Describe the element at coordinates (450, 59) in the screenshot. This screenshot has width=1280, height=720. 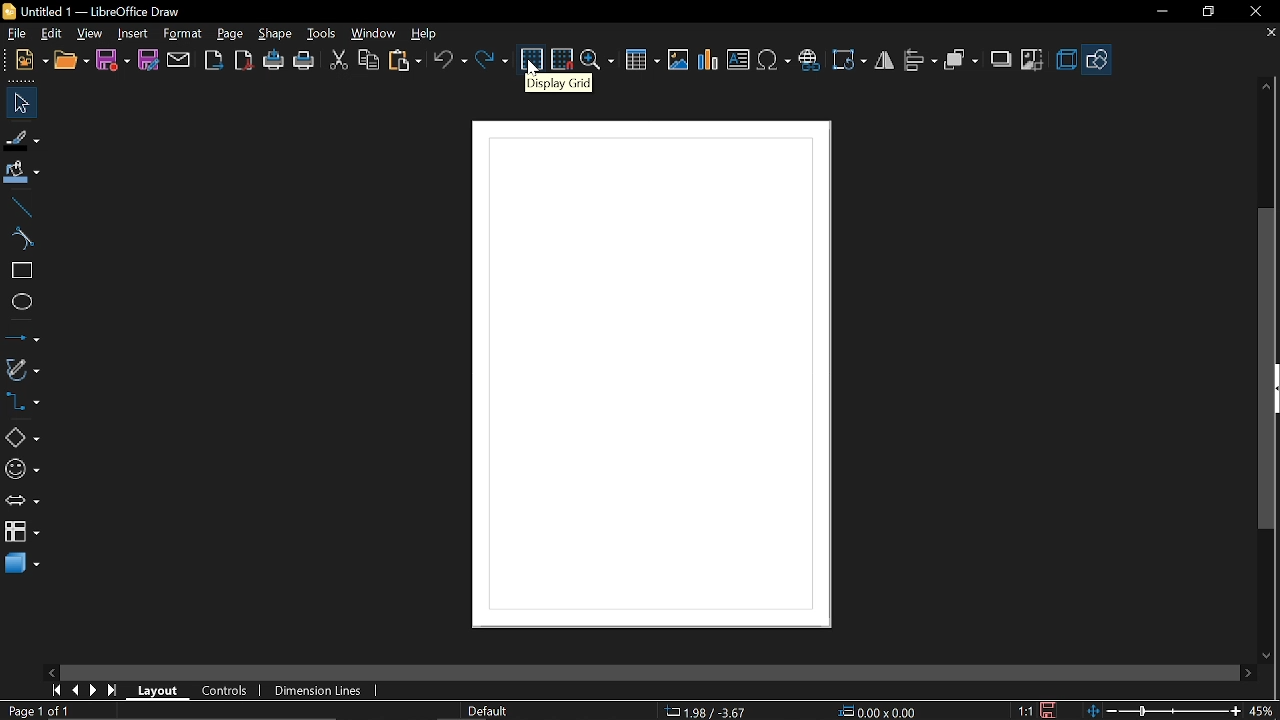
I see `undo` at that location.